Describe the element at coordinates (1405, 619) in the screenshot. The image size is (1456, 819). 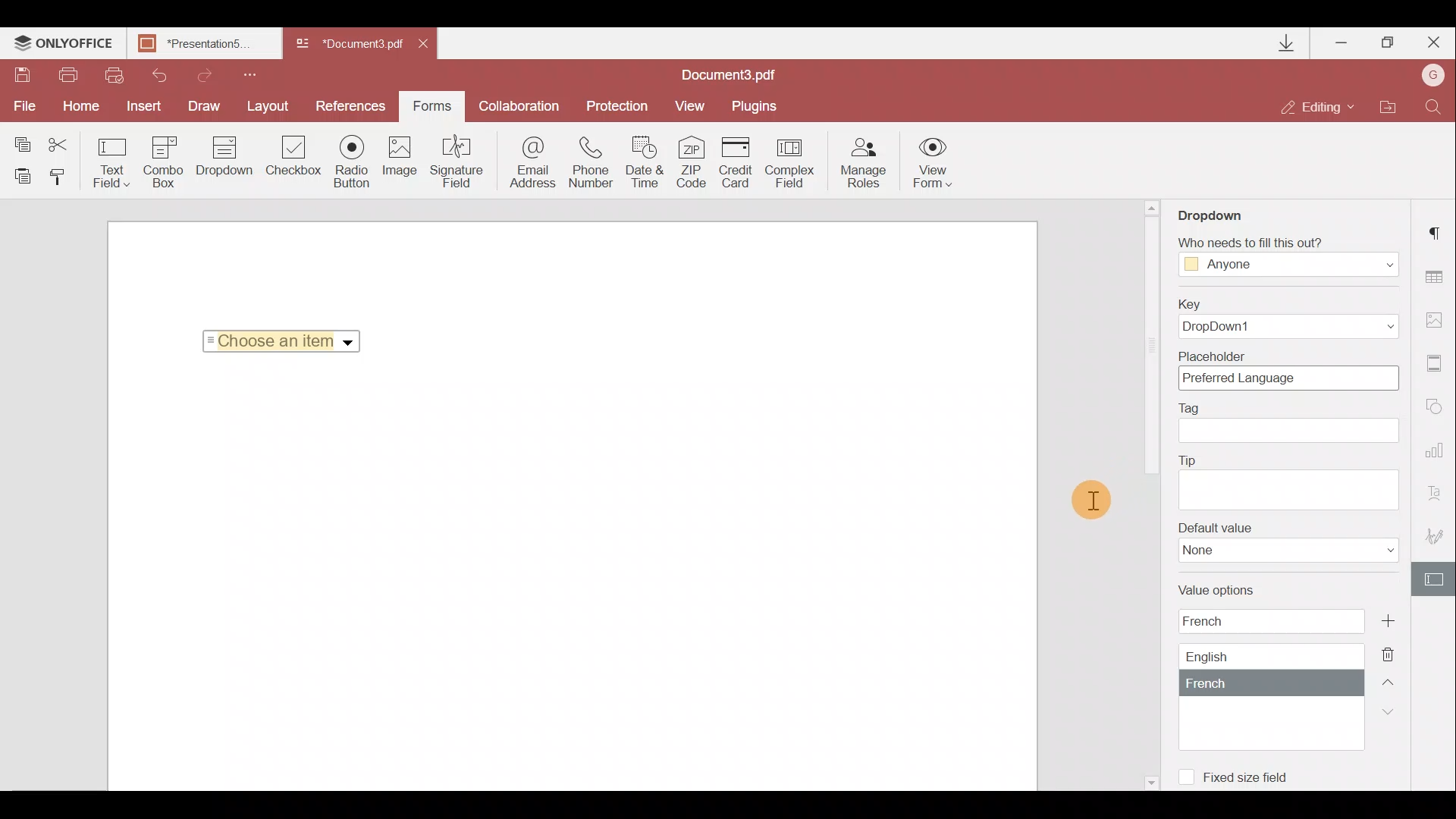
I see `Add new value` at that location.